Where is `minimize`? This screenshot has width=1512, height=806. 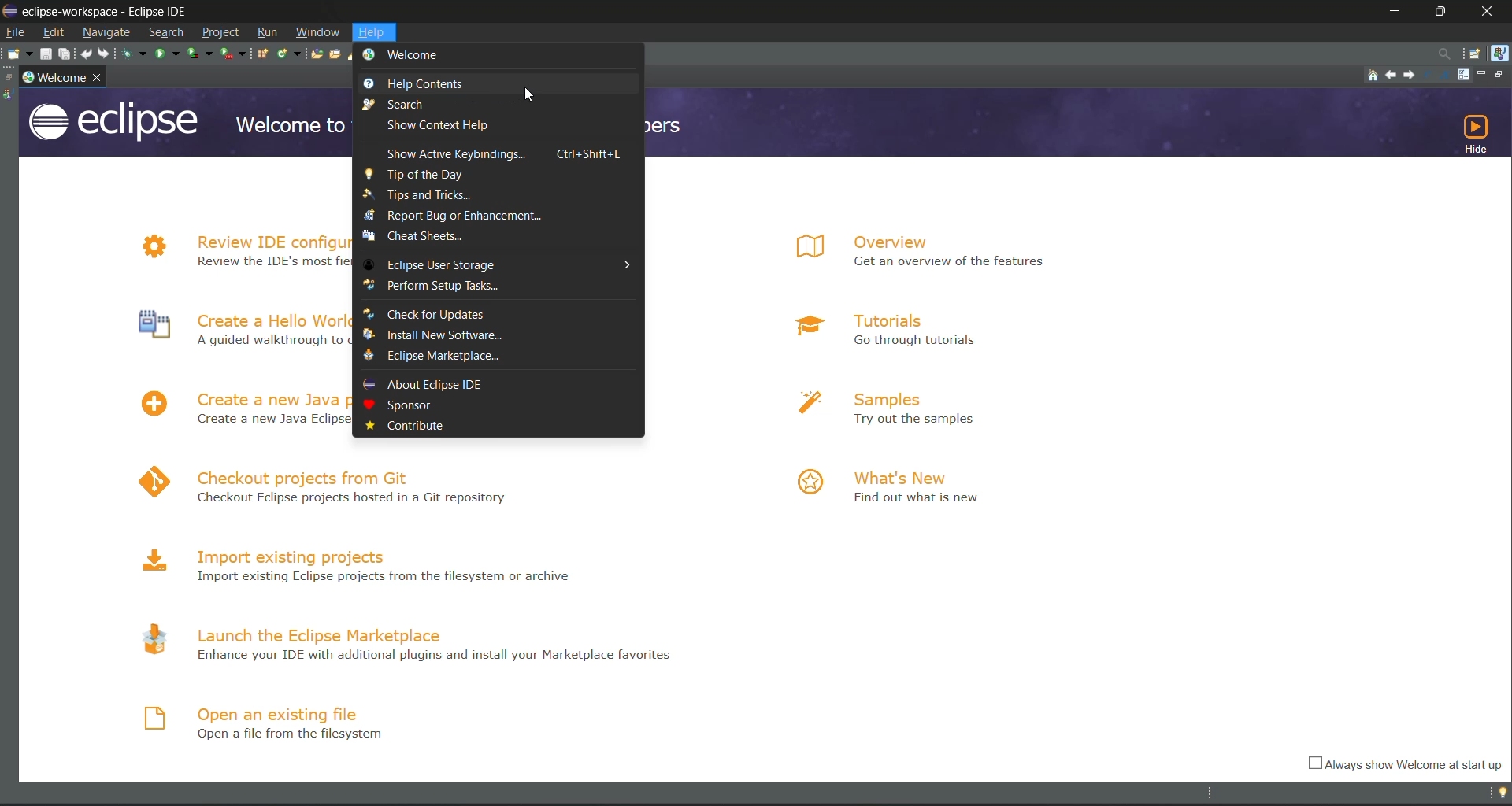
minimize is located at coordinates (1399, 13).